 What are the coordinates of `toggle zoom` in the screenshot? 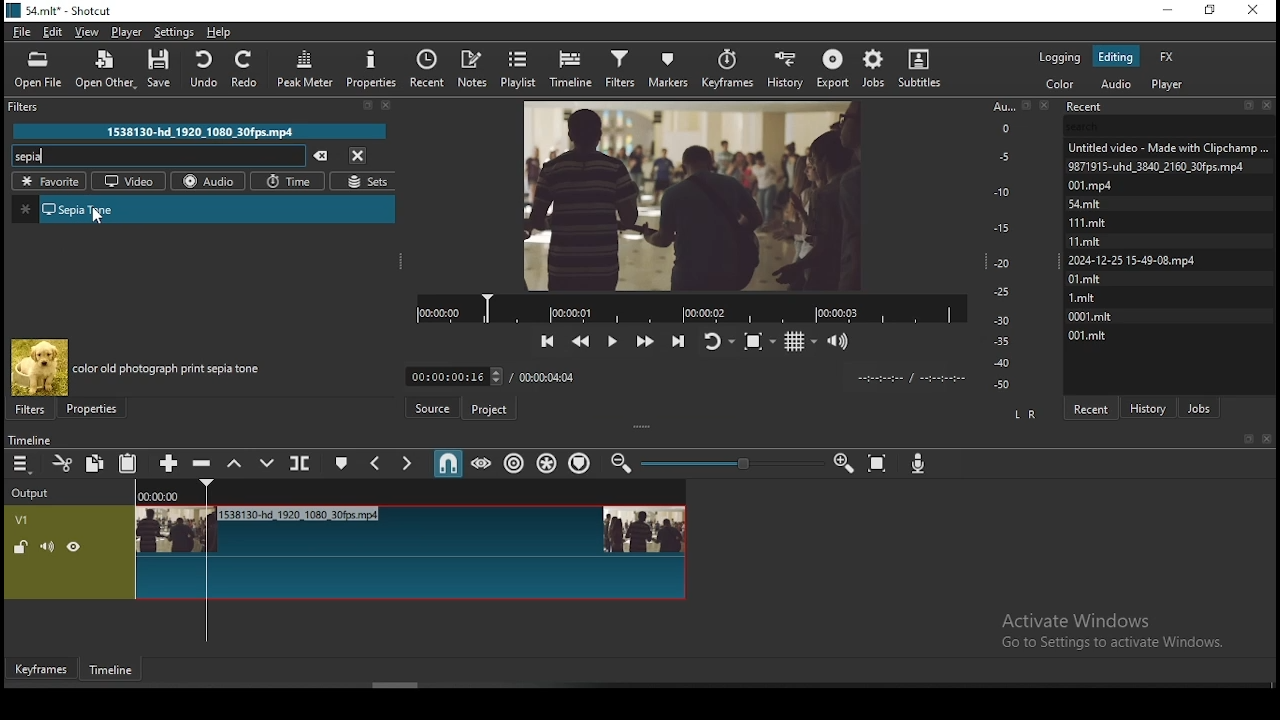 It's located at (759, 339).